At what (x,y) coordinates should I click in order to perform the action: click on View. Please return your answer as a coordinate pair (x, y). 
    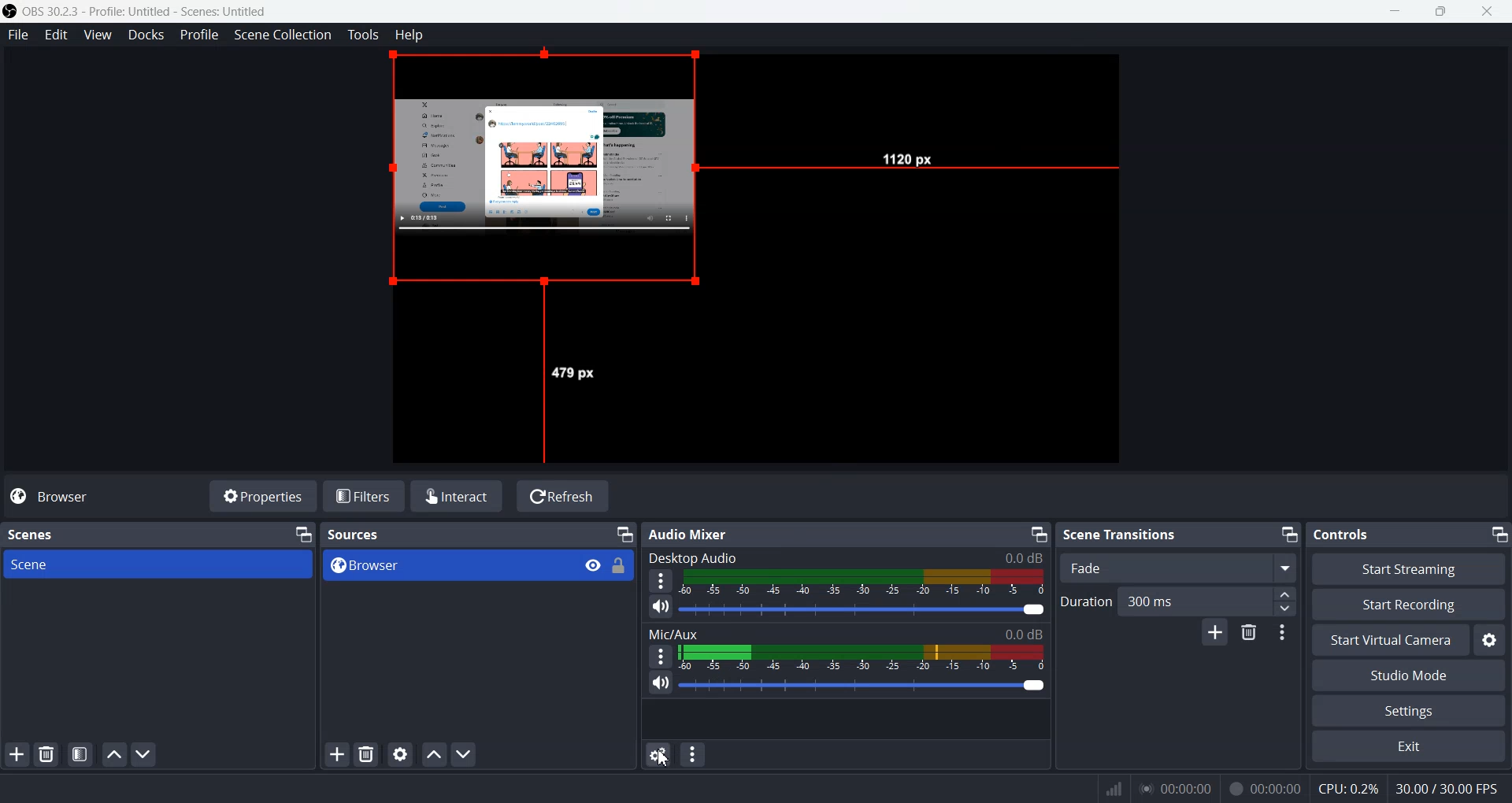
    Looking at the image, I should click on (98, 35).